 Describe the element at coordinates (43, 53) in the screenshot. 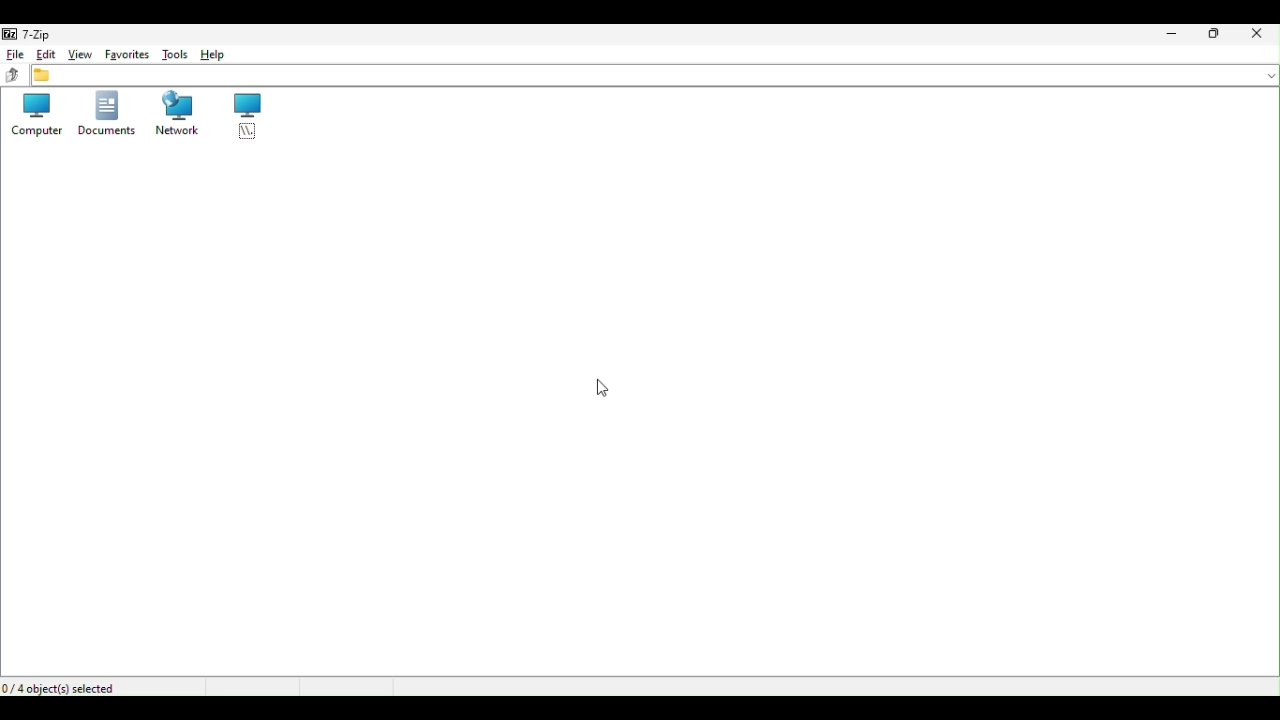

I see `Edit` at that location.